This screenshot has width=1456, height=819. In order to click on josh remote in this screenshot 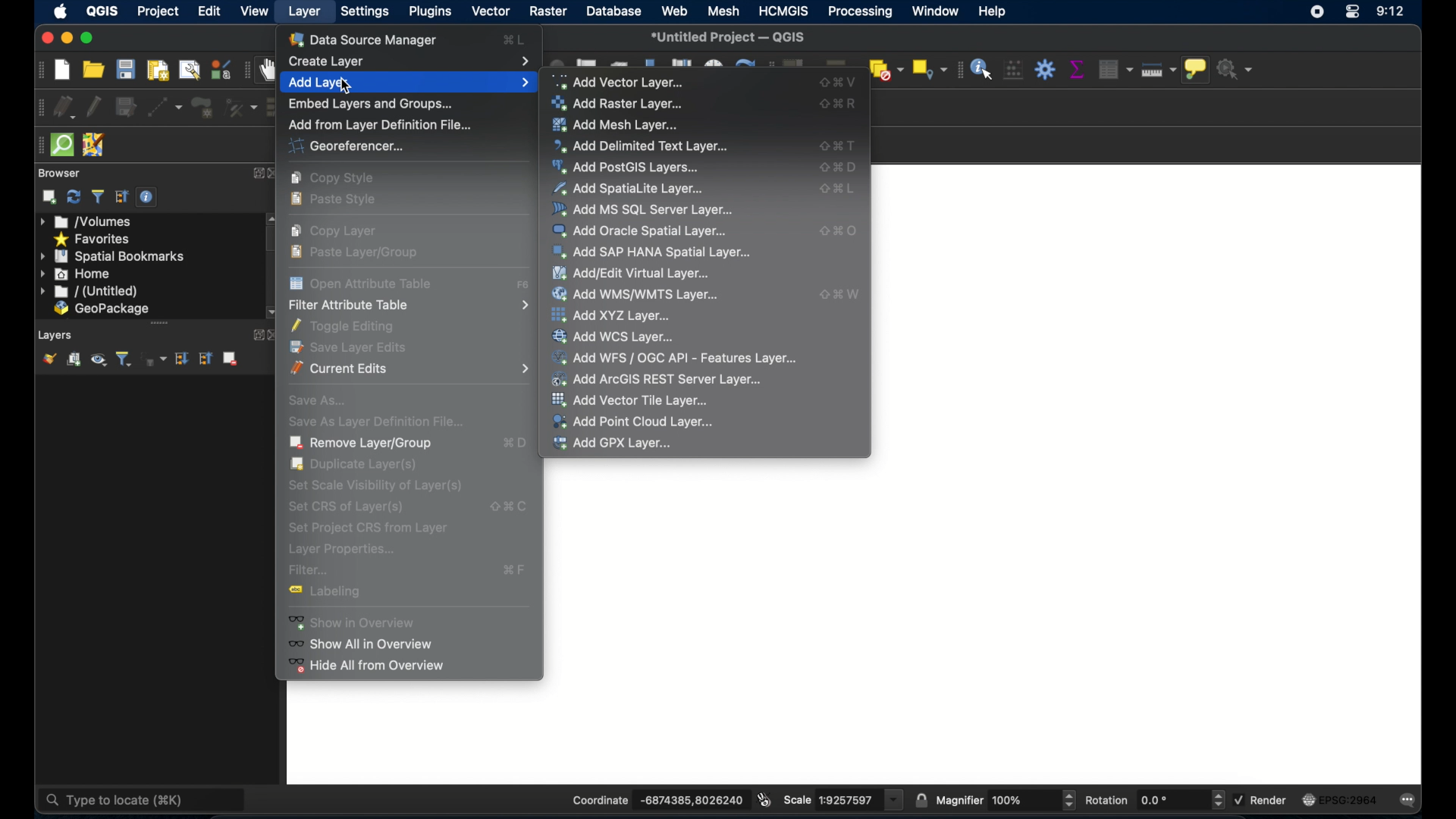, I will do `click(94, 143)`.